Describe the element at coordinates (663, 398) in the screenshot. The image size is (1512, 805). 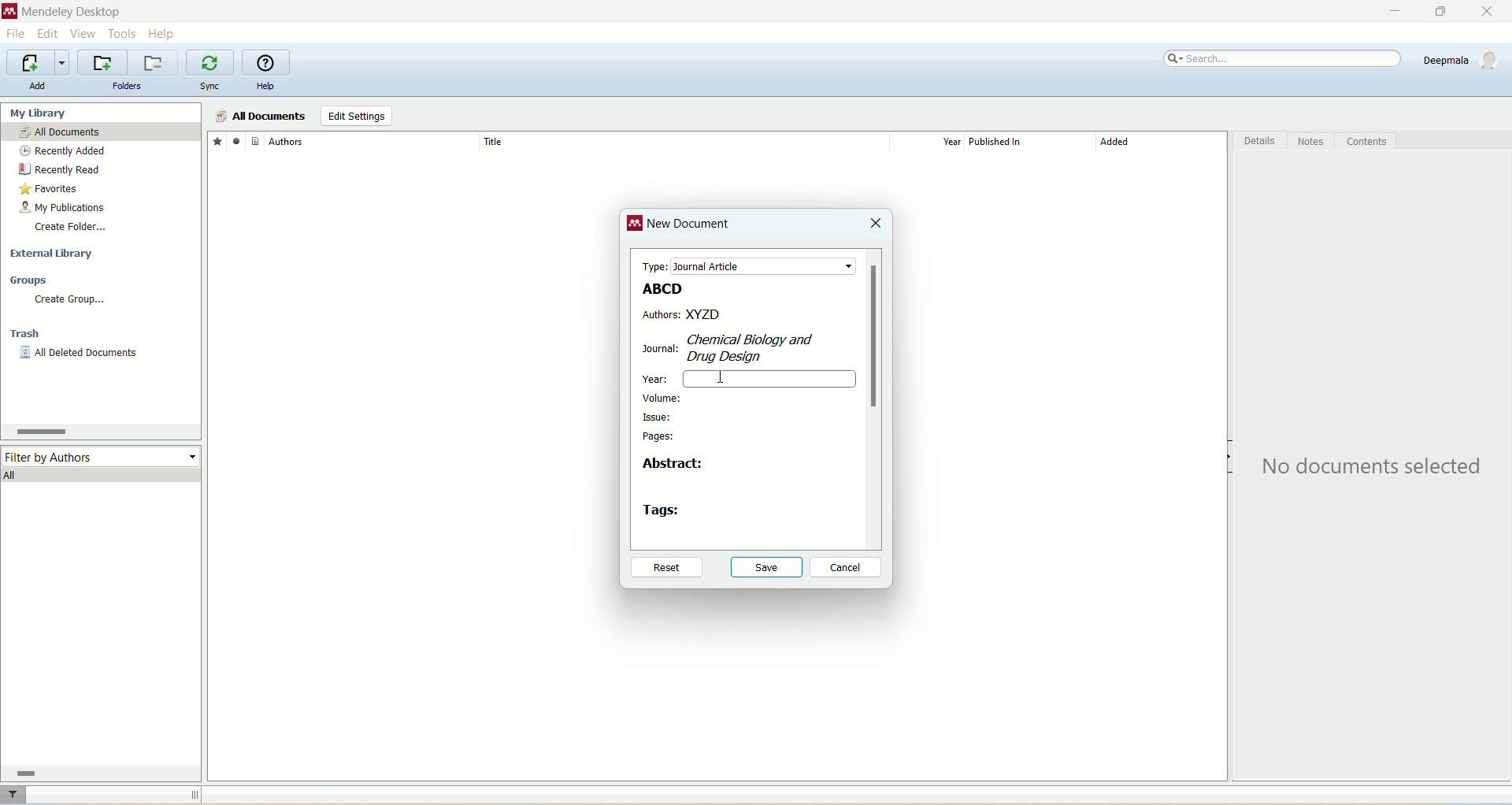
I see `volume` at that location.